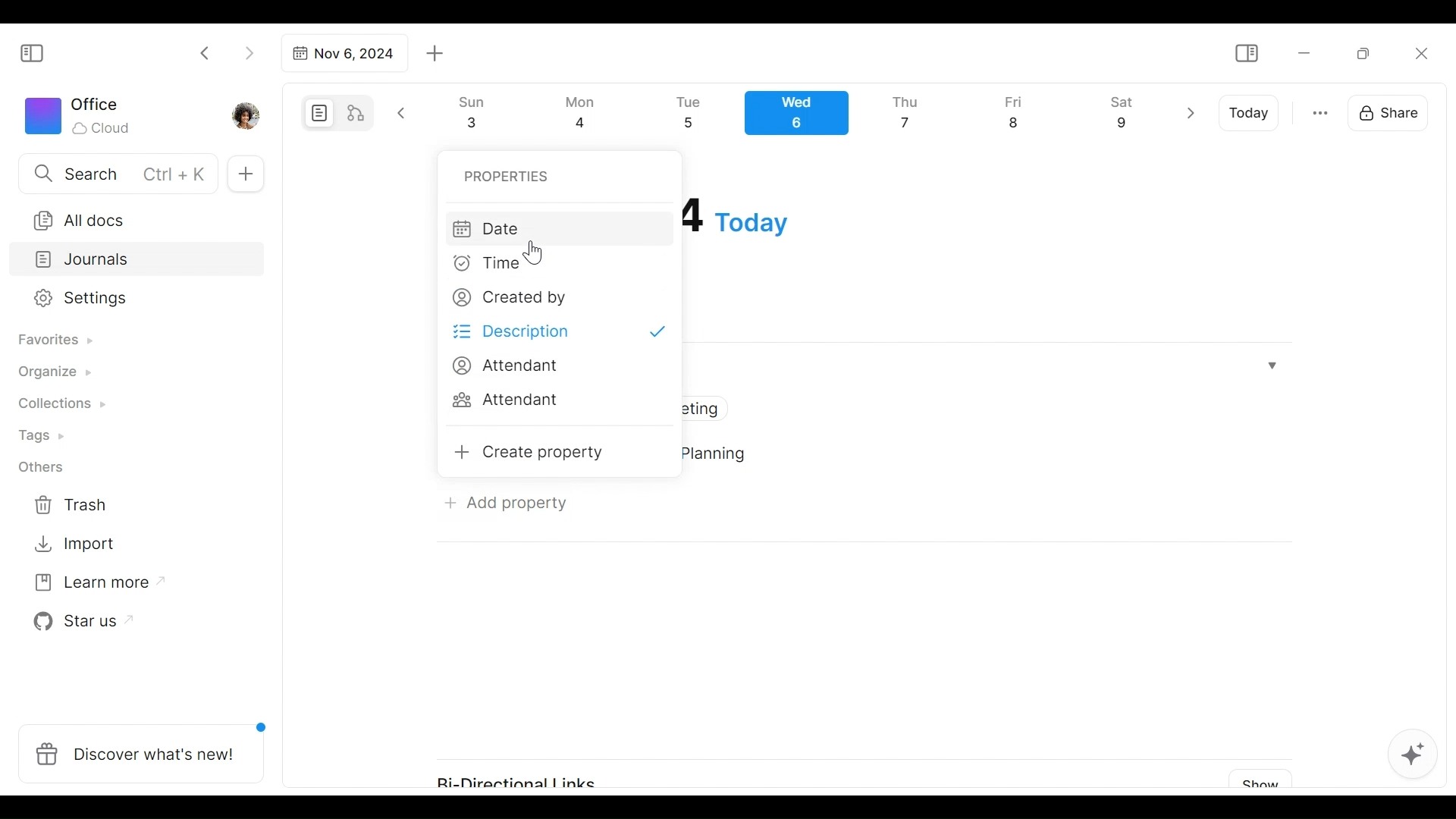 This screenshot has height=819, width=1456. What do you see at coordinates (147, 745) in the screenshot?
I see `Discover what's new` at bounding box center [147, 745].